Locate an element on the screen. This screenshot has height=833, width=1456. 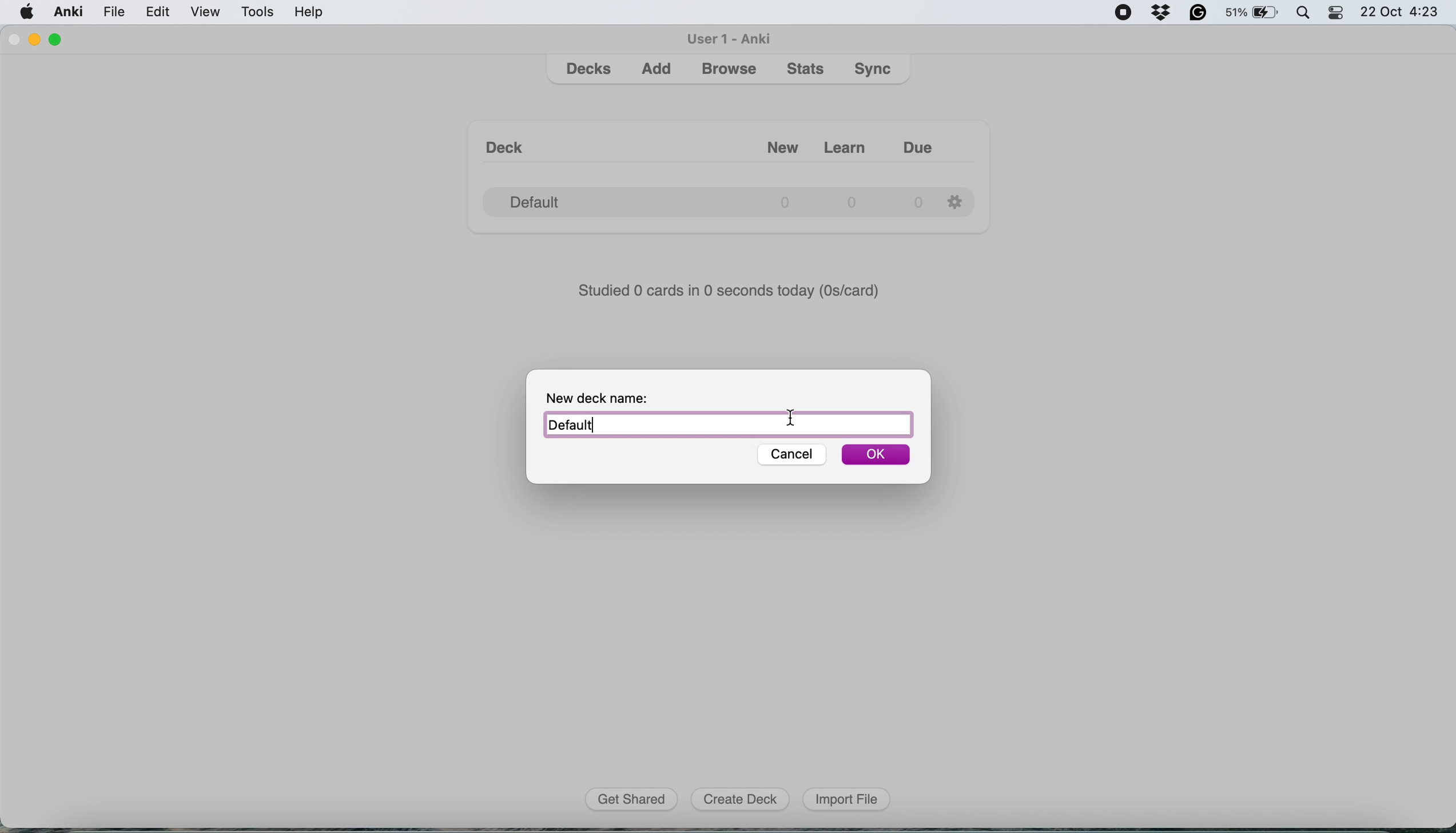
get shared is located at coordinates (635, 800).